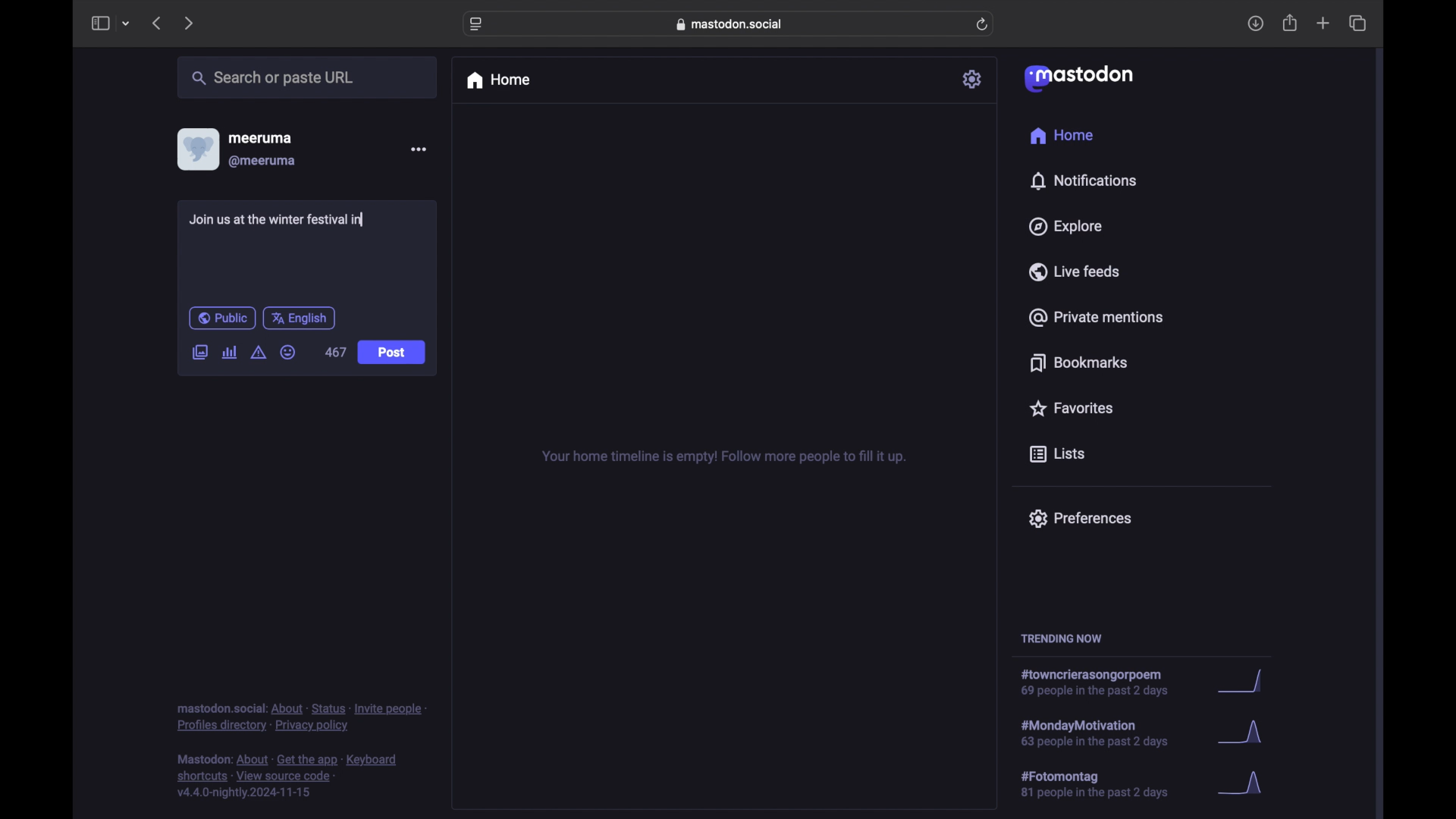  Describe the element at coordinates (1245, 784) in the screenshot. I see `graph` at that location.